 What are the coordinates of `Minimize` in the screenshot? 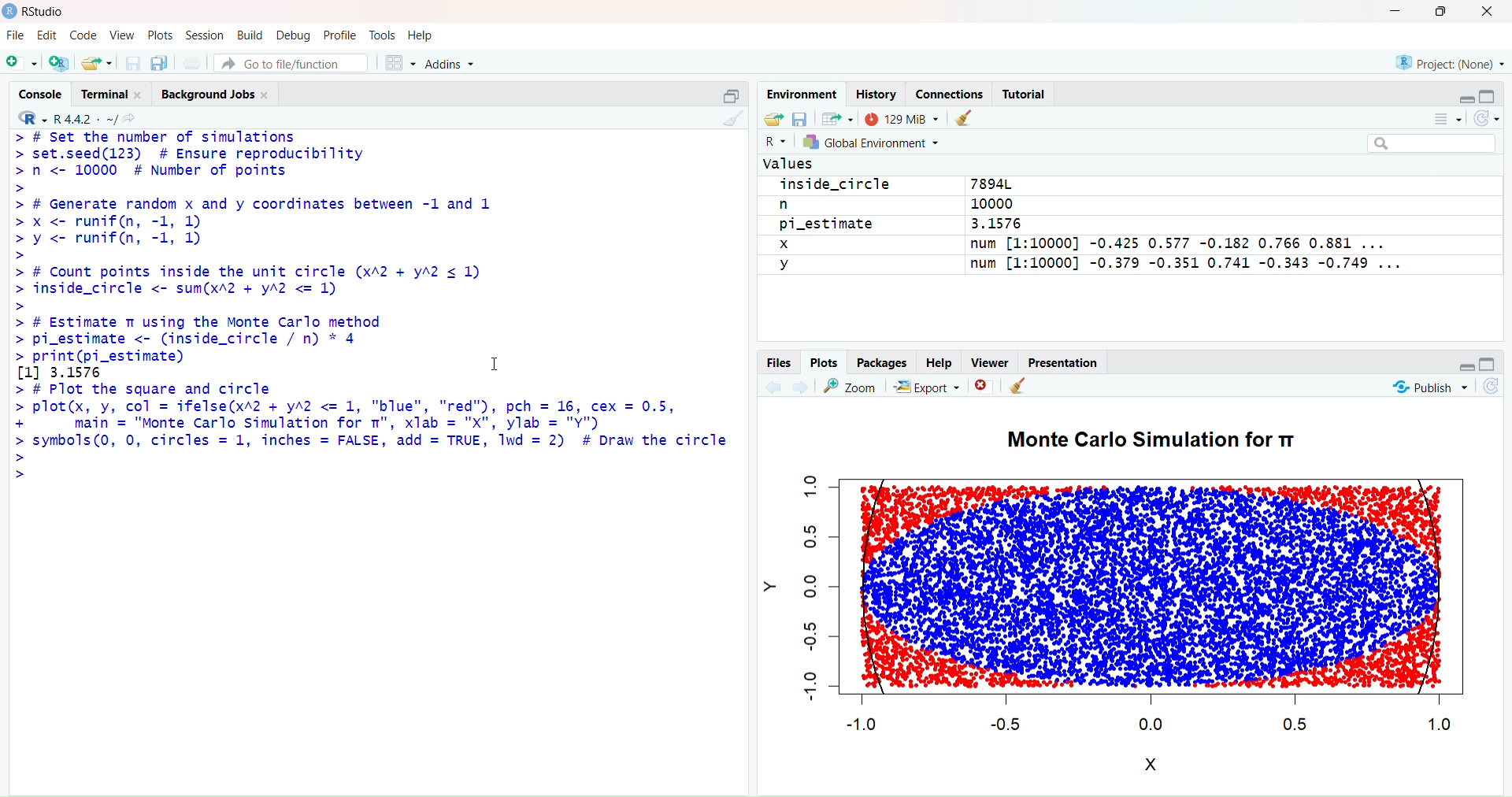 It's located at (1395, 11).